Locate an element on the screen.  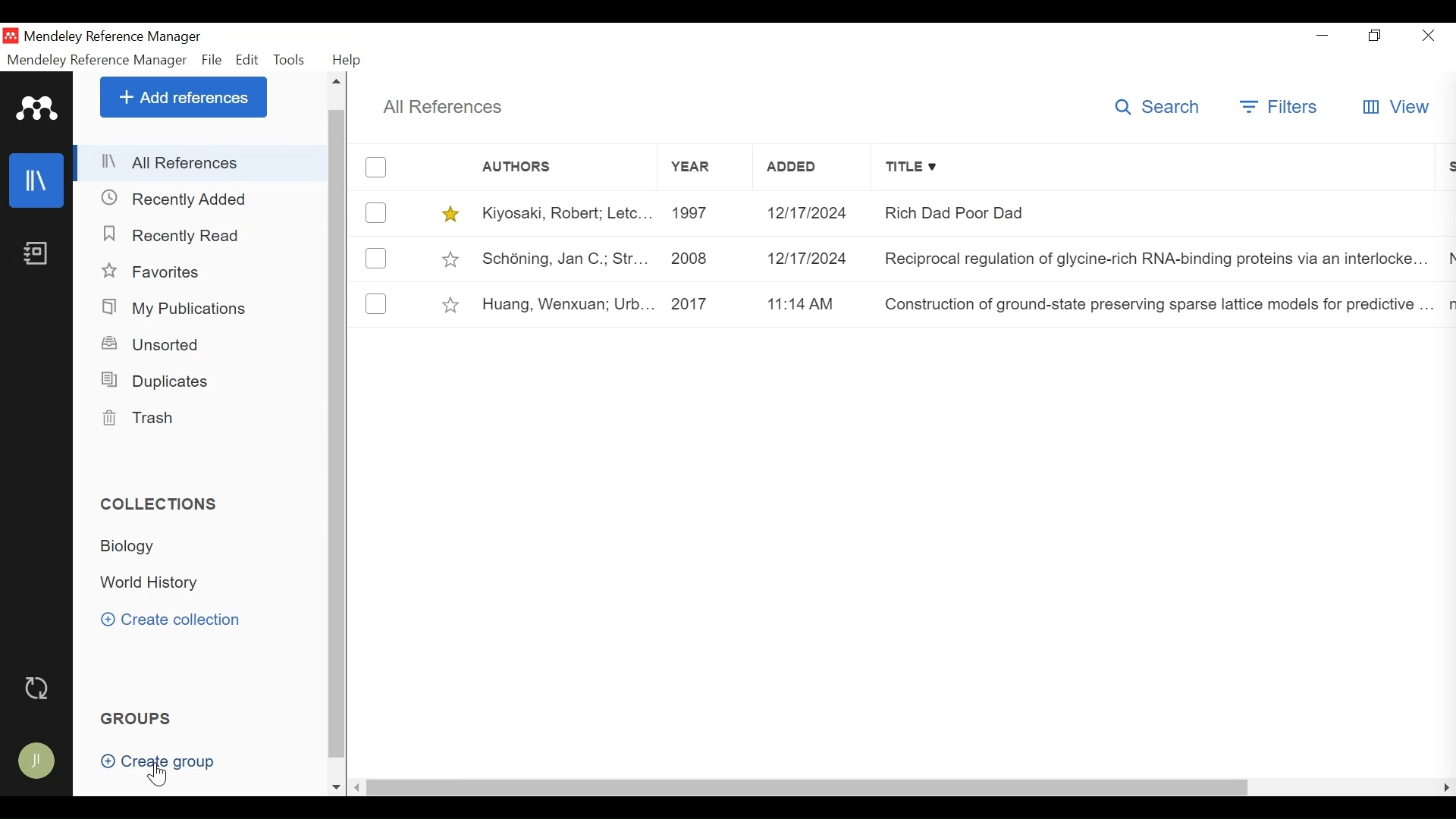
All References is located at coordinates (202, 162).